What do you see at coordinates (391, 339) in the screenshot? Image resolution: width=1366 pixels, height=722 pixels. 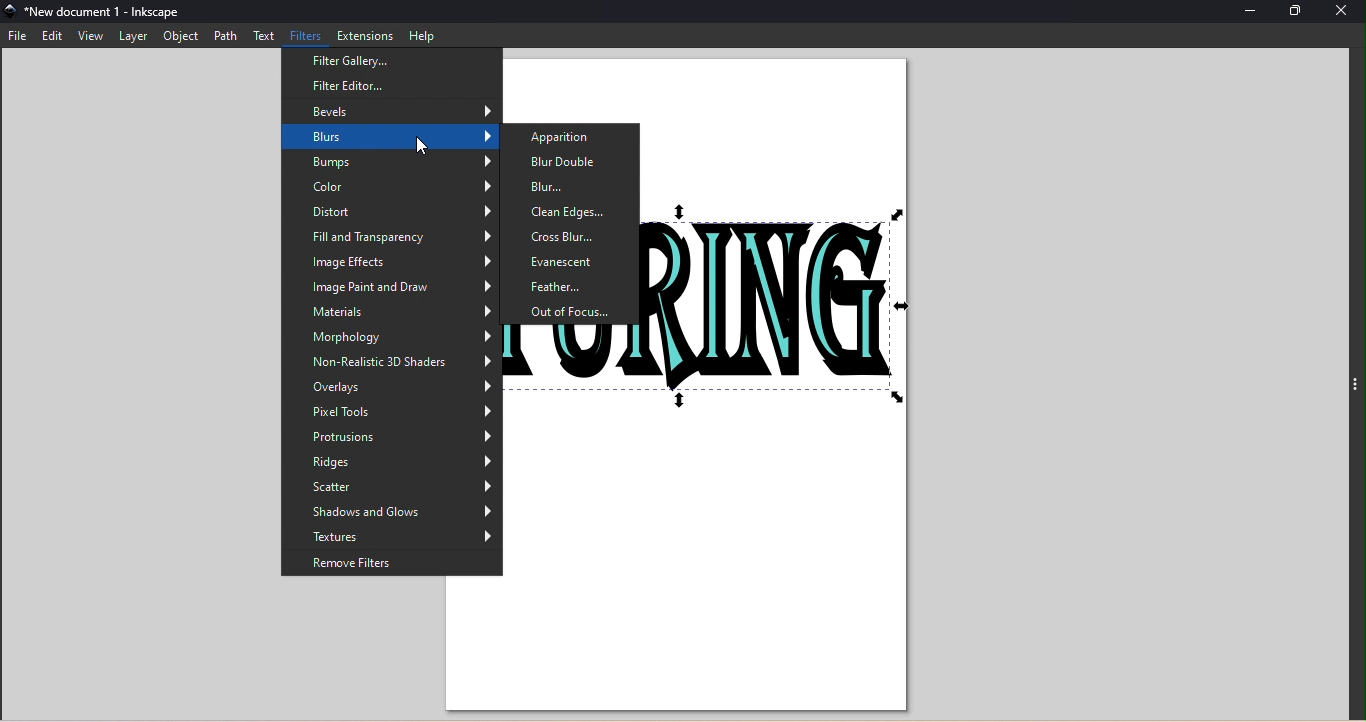 I see `Morphology` at bounding box center [391, 339].